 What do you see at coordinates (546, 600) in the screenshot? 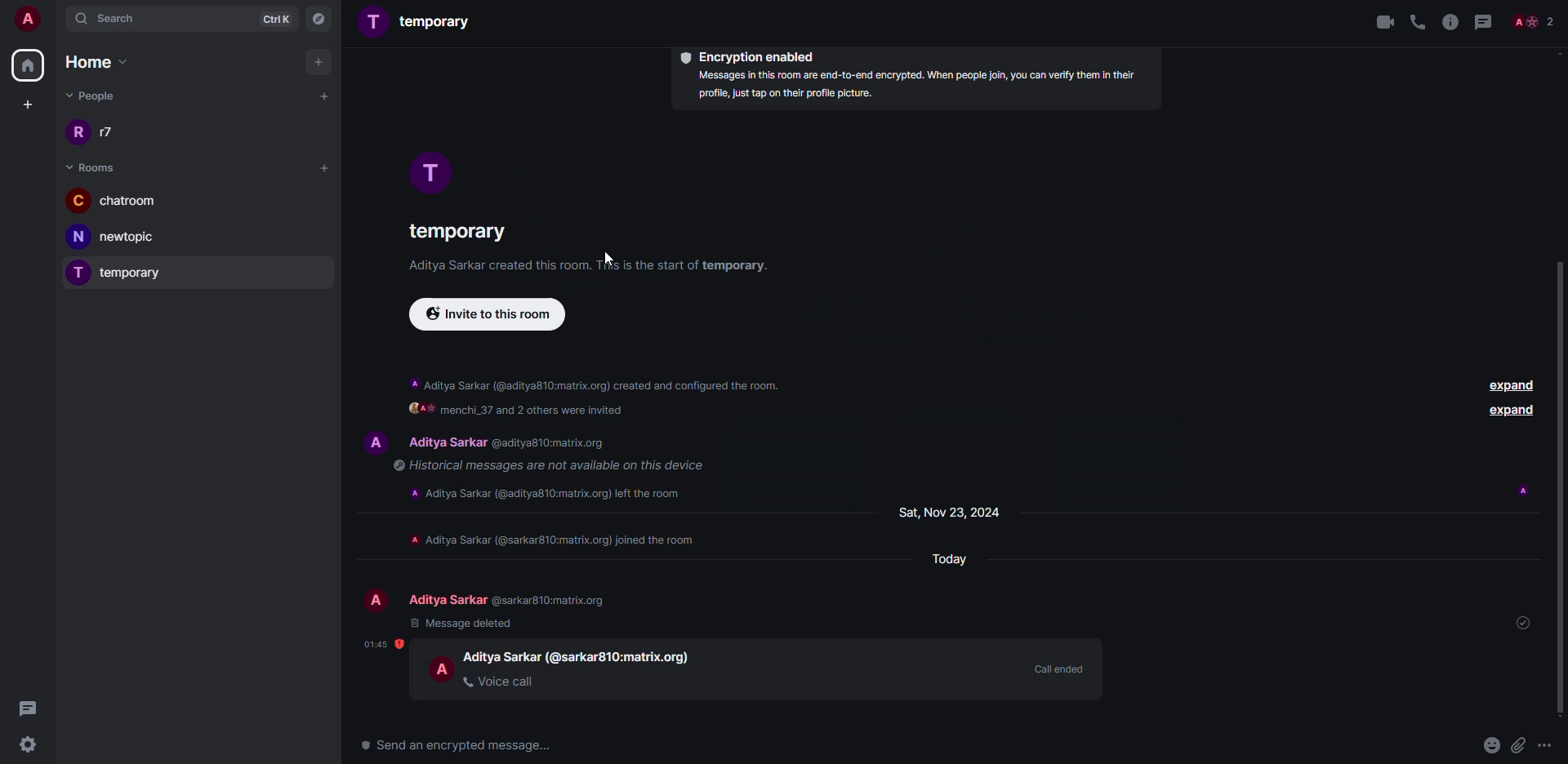
I see `id` at bounding box center [546, 600].